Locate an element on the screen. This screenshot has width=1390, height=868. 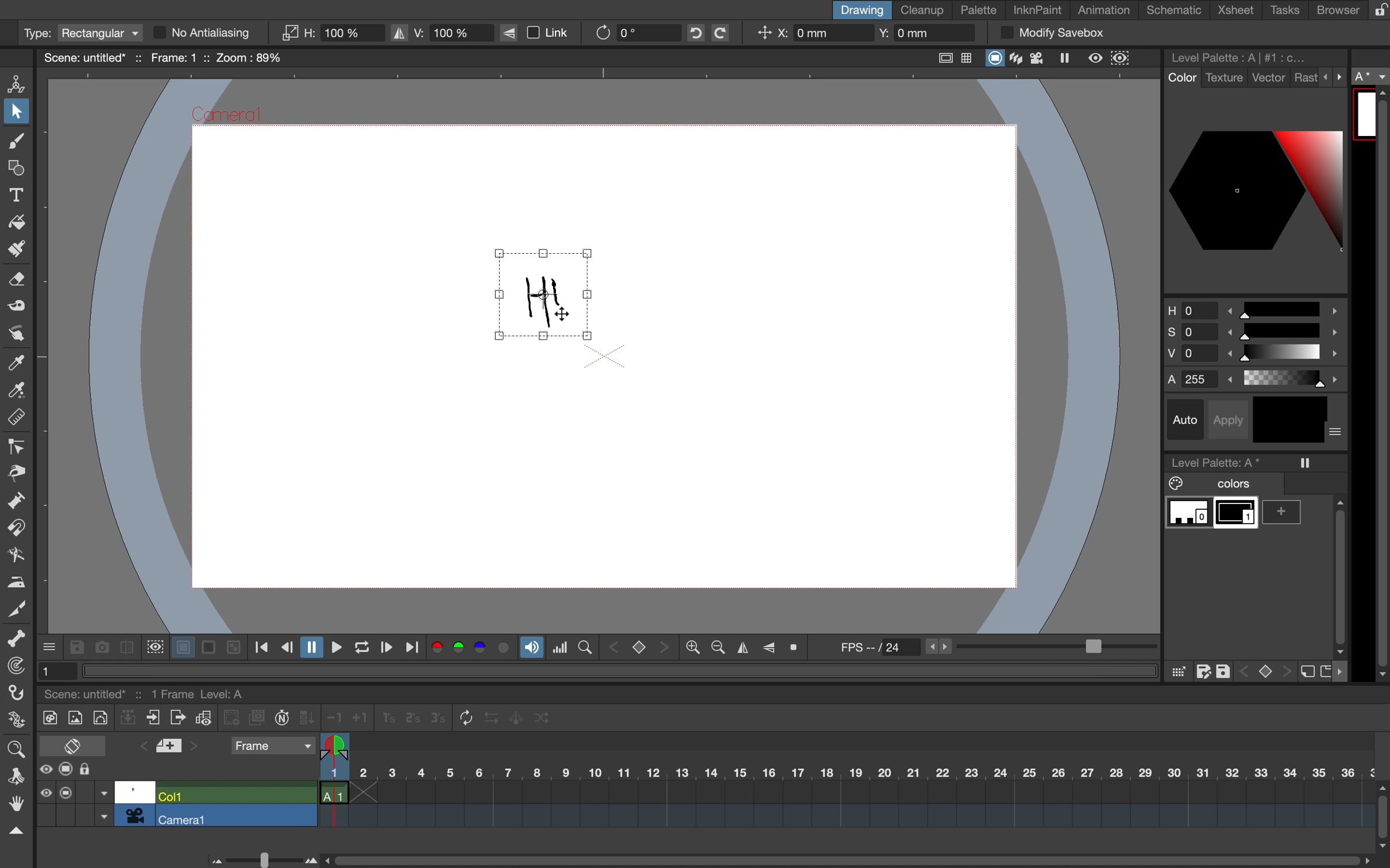
lock rooms tab is located at coordinates (1375, 11).